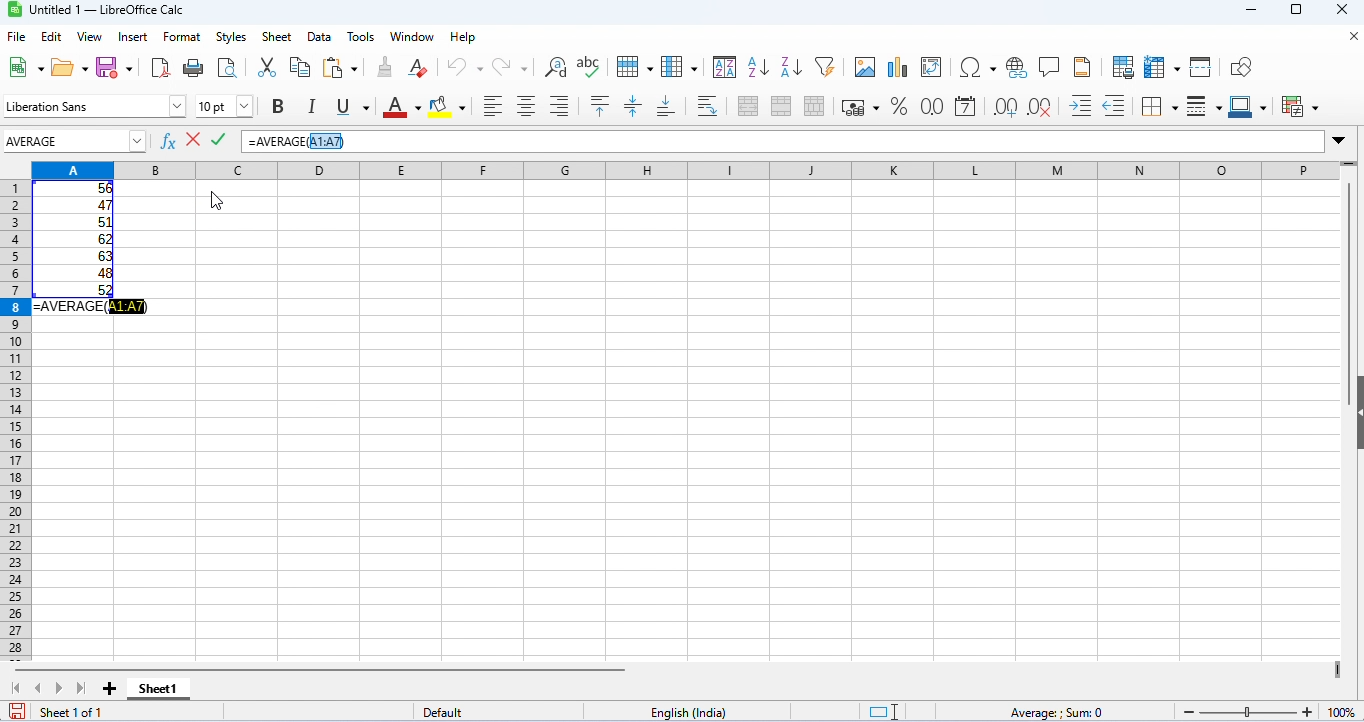 The image size is (1364, 722). Describe the element at coordinates (192, 67) in the screenshot. I see `print` at that location.